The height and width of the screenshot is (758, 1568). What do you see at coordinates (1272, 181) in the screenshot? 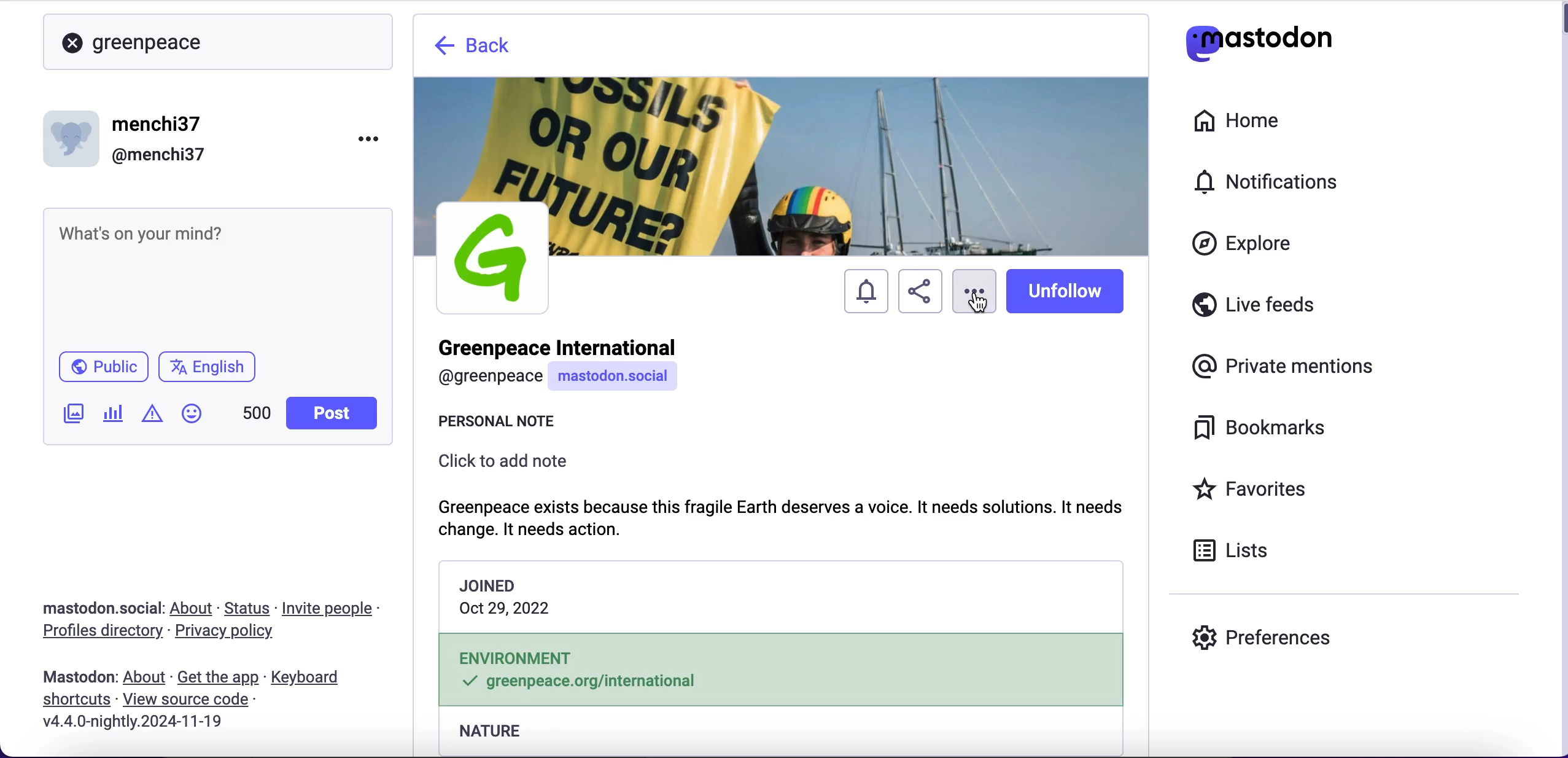
I see `notifications` at bounding box center [1272, 181].